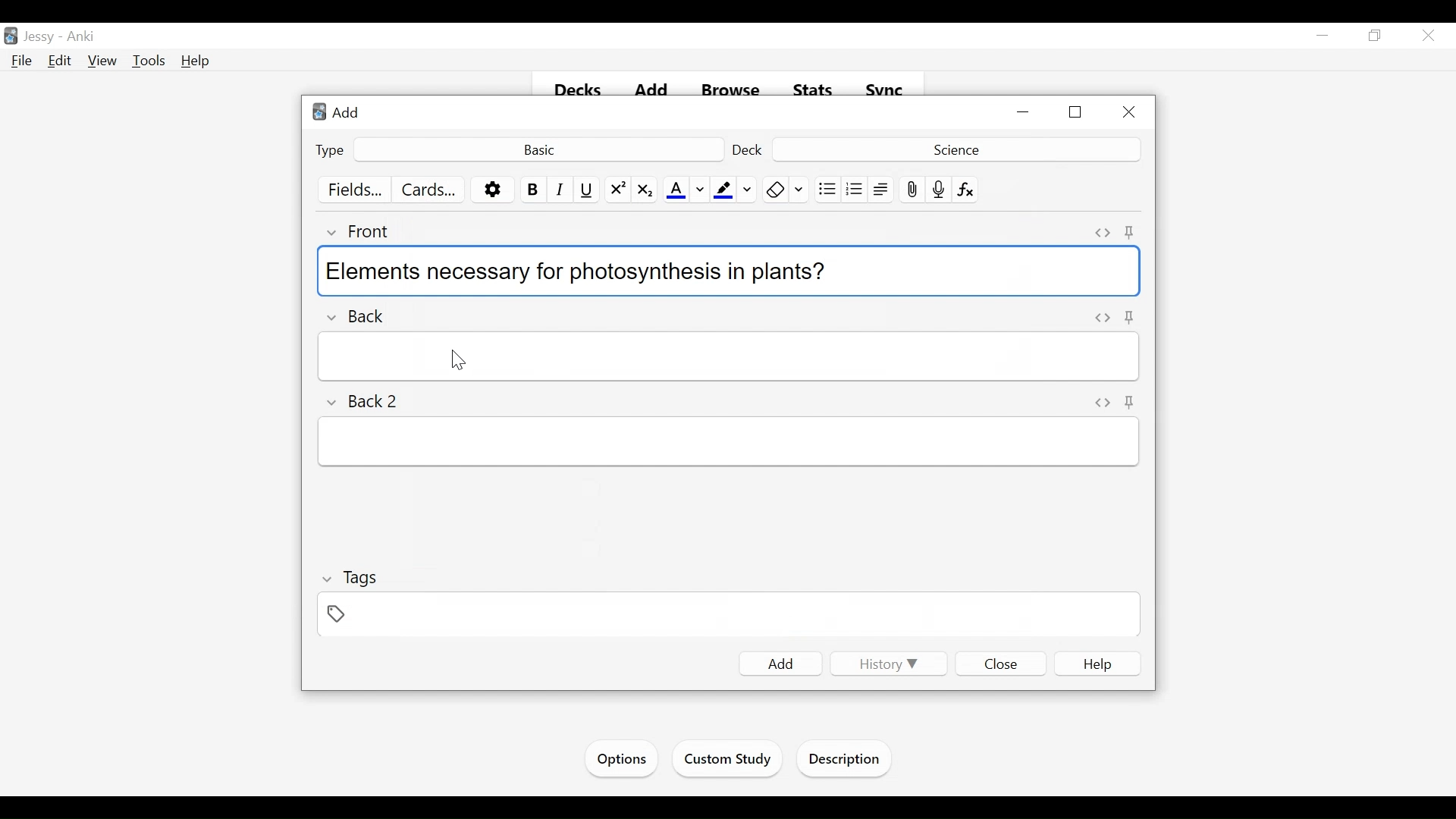 Image resolution: width=1456 pixels, height=819 pixels. Describe the element at coordinates (60, 60) in the screenshot. I see `Edit` at that location.